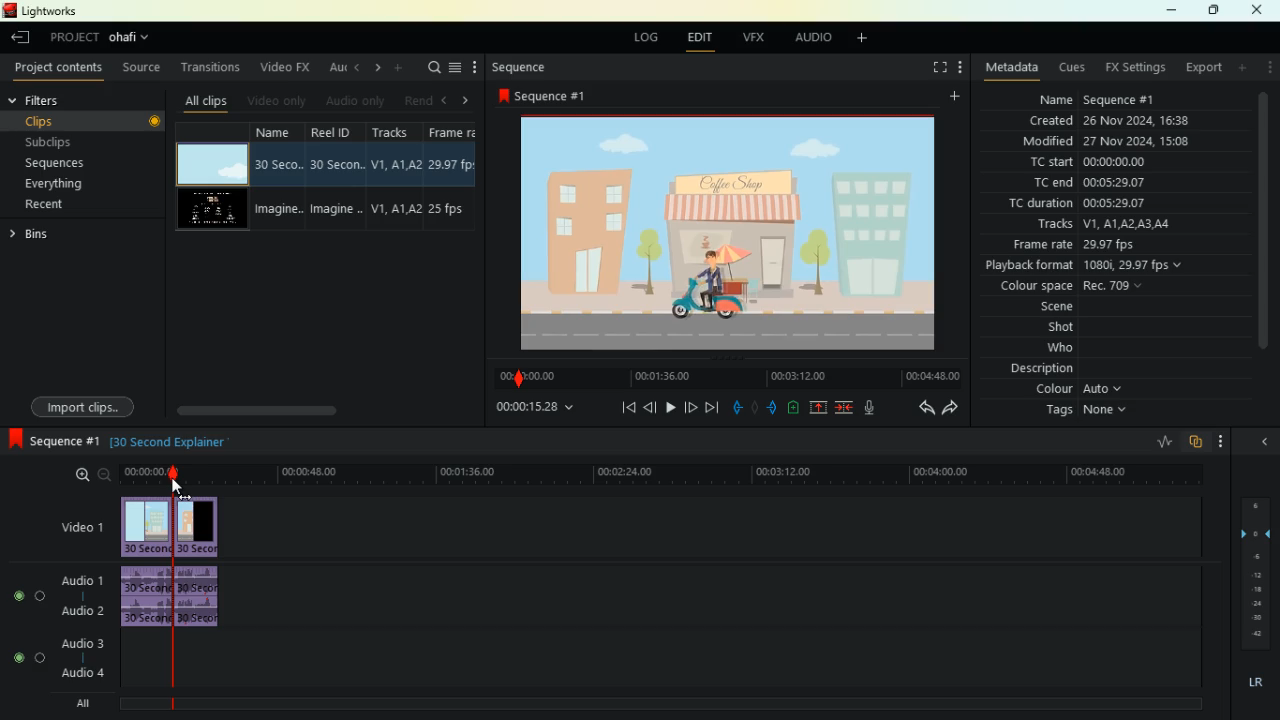  I want to click on transitions, so click(213, 67).